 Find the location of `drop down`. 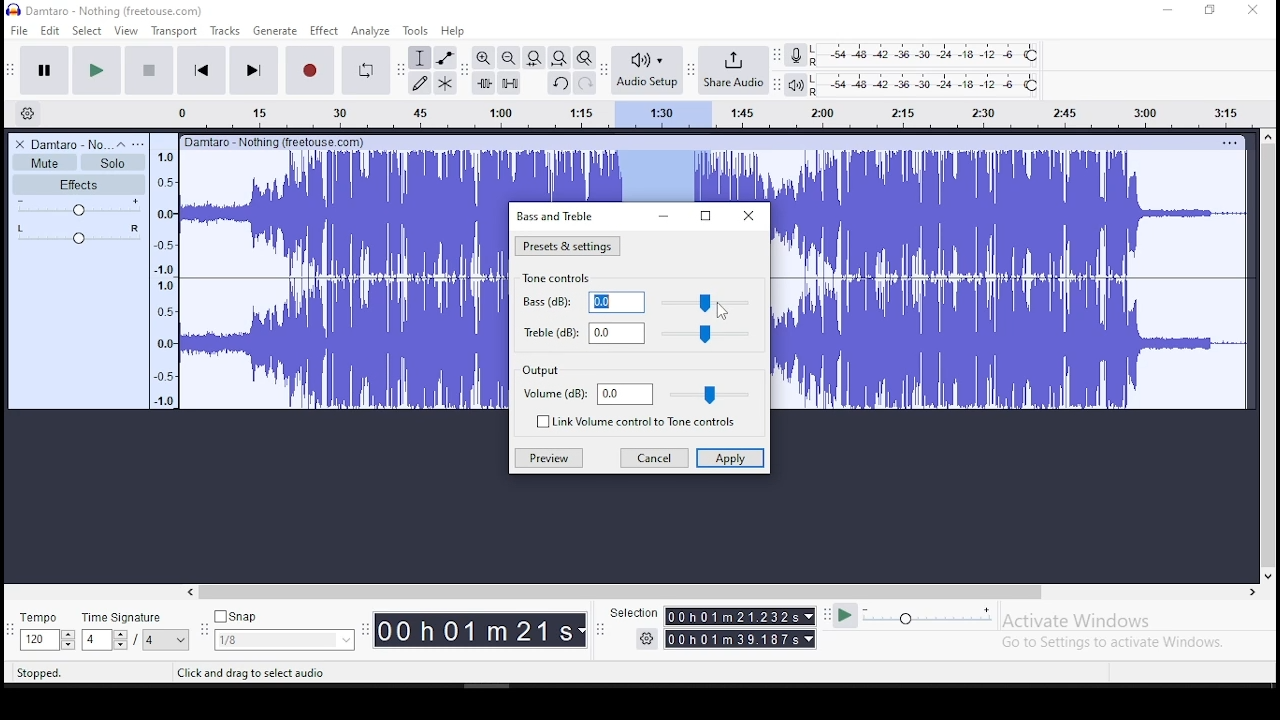

drop down is located at coordinates (811, 639).